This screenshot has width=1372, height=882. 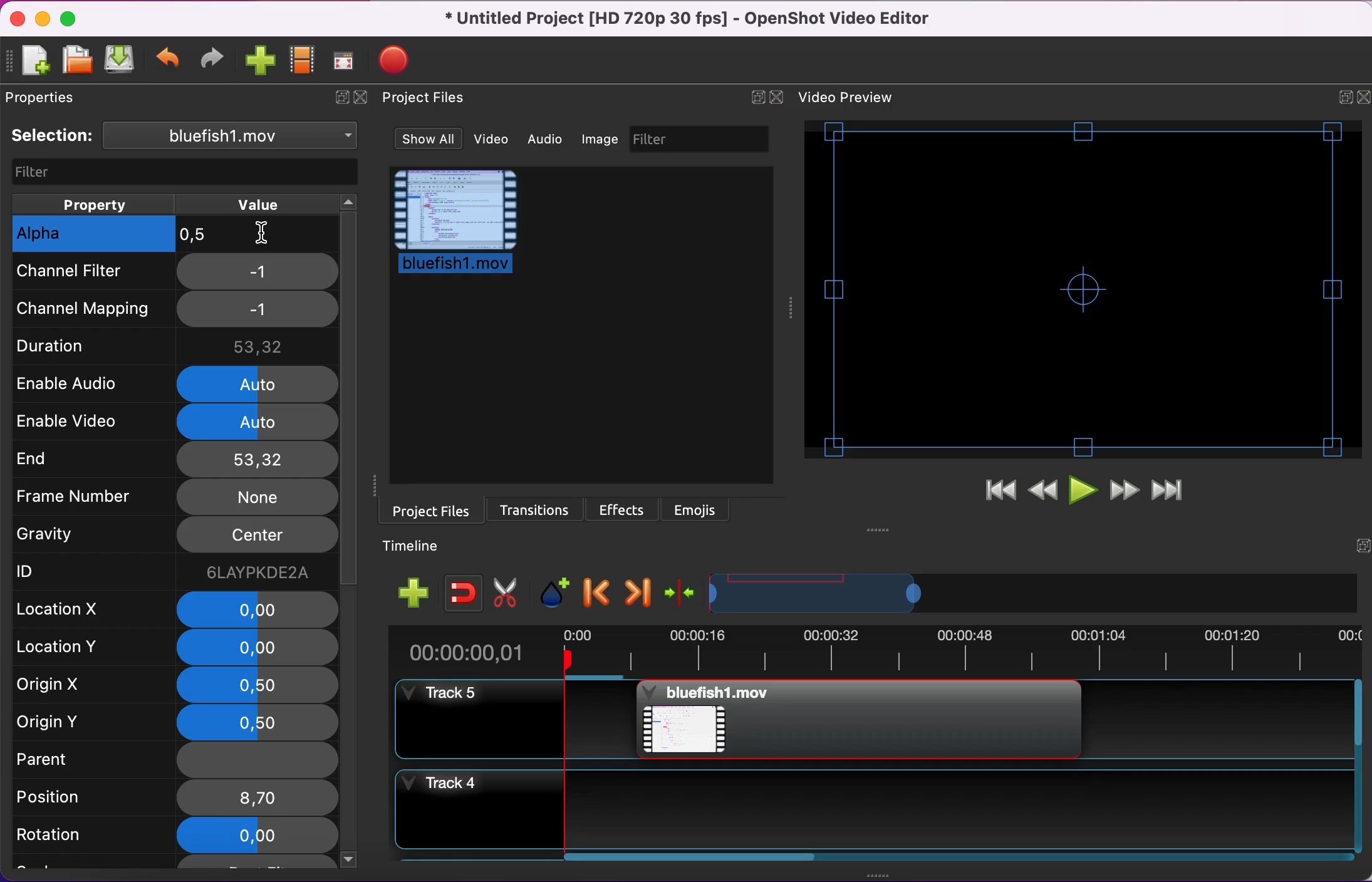 I want to click on value, so click(x=272, y=203).